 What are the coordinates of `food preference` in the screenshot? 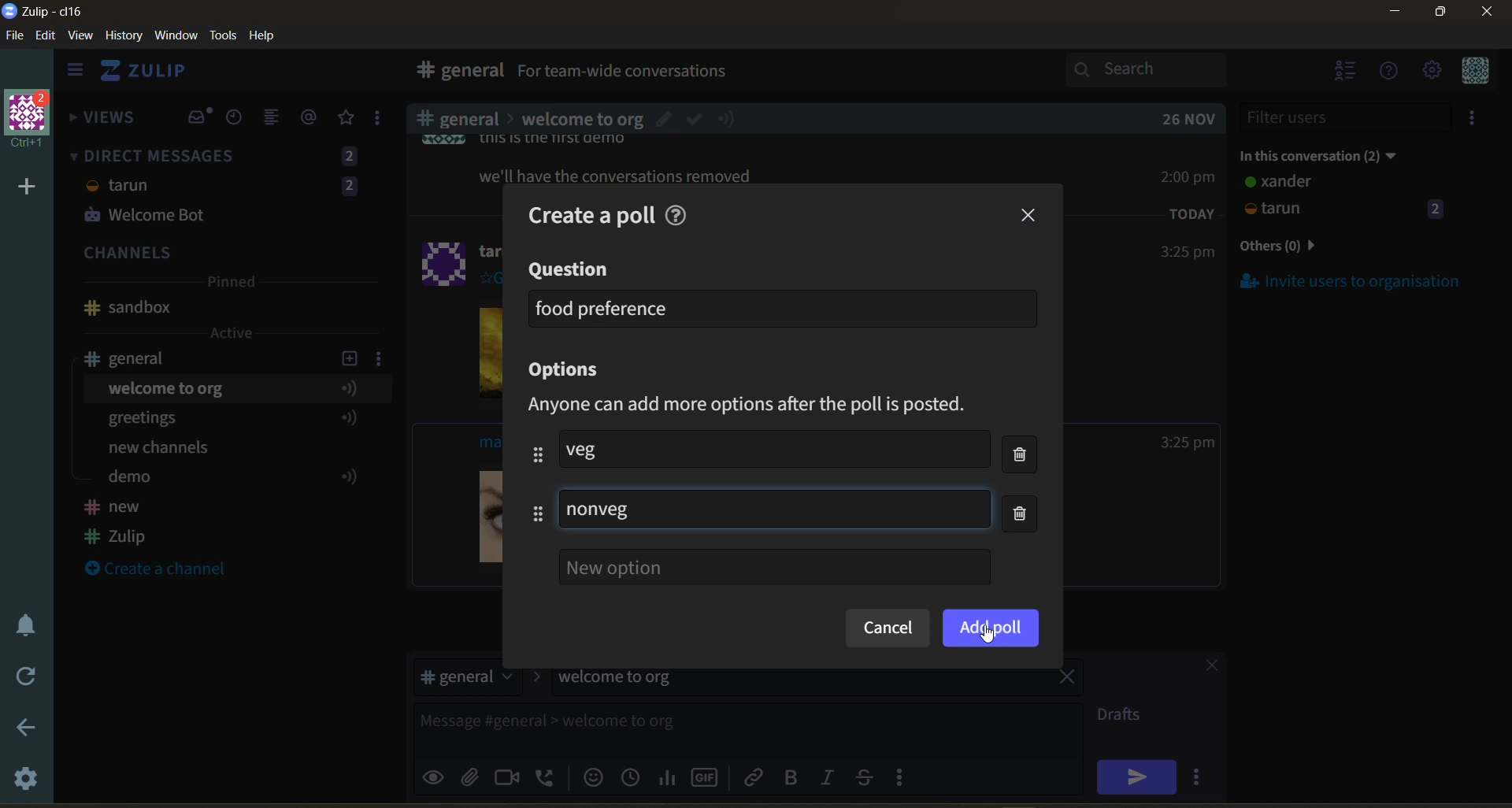 It's located at (603, 308).